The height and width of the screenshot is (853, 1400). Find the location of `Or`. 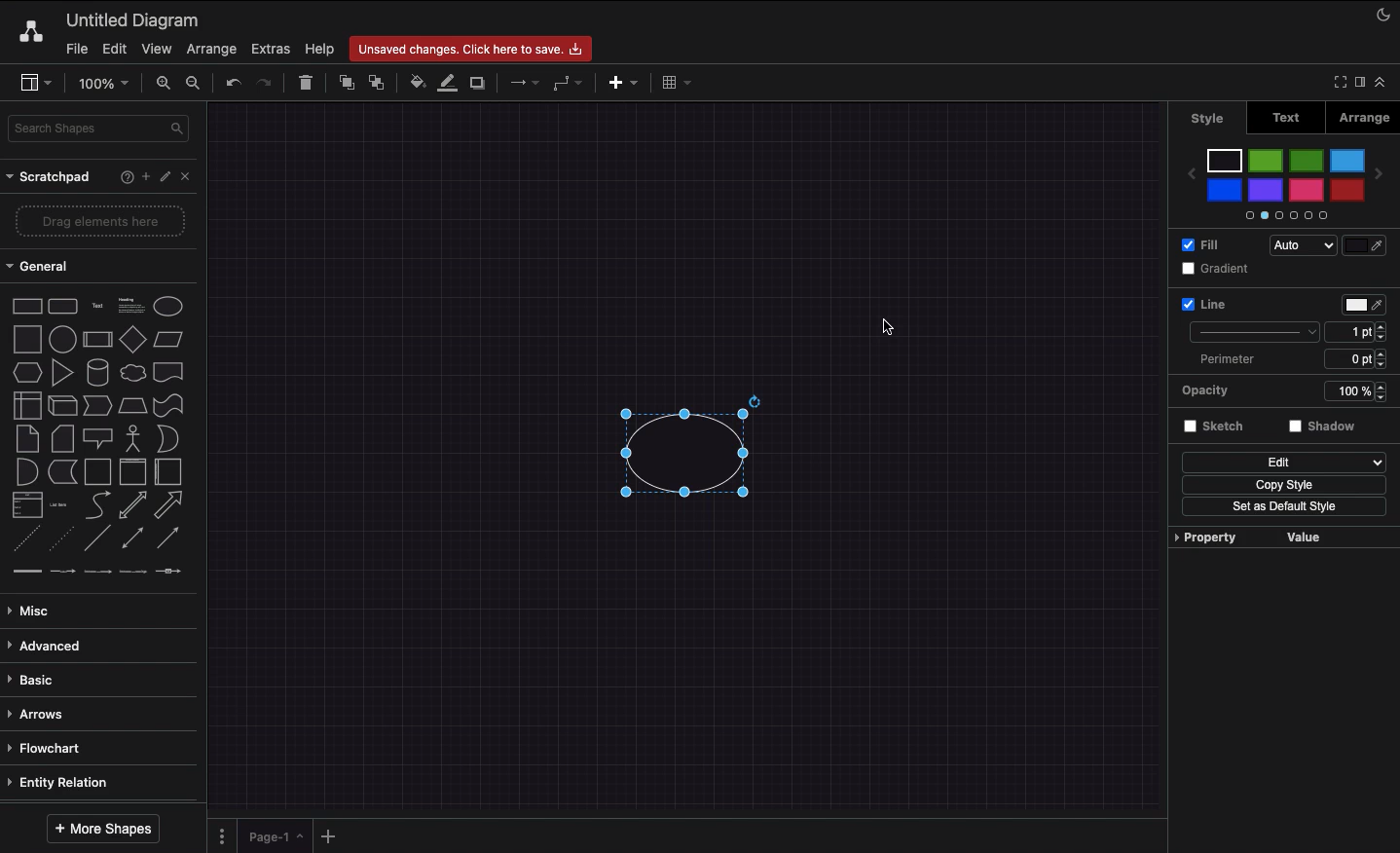

Or is located at coordinates (168, 437).